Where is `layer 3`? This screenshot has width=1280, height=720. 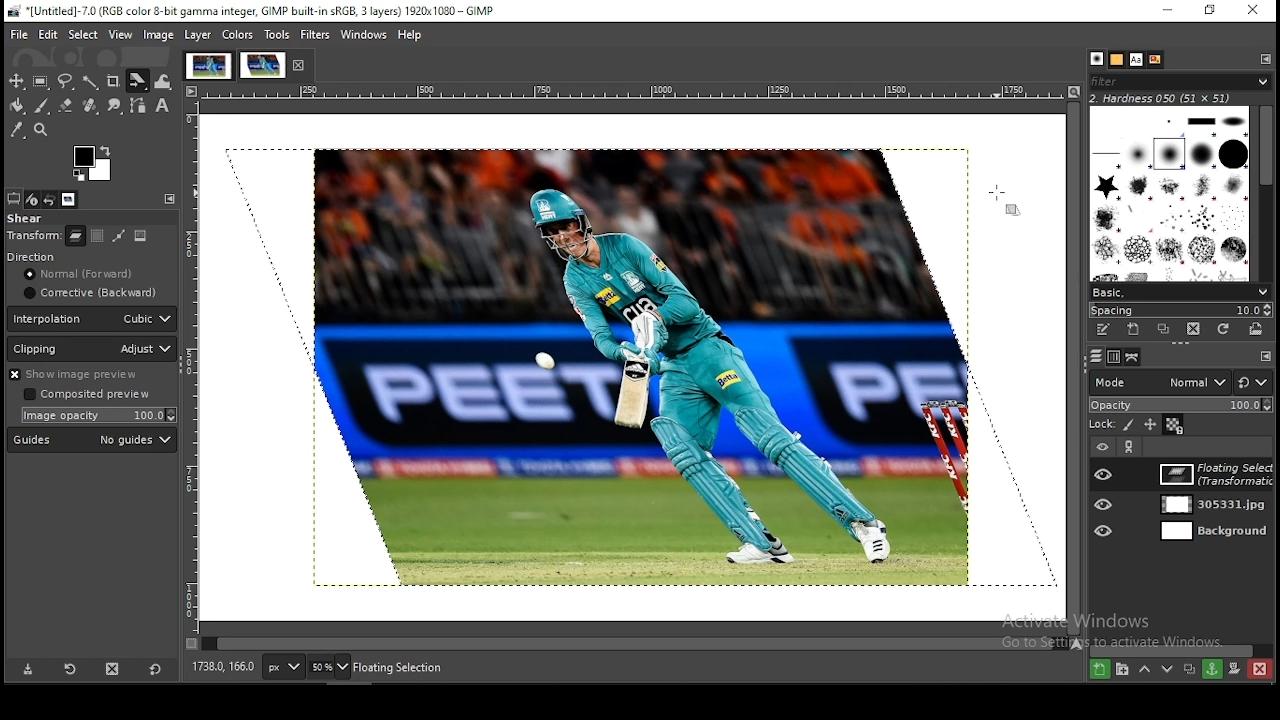 layer 3 is located at coordinates (1207, 534).